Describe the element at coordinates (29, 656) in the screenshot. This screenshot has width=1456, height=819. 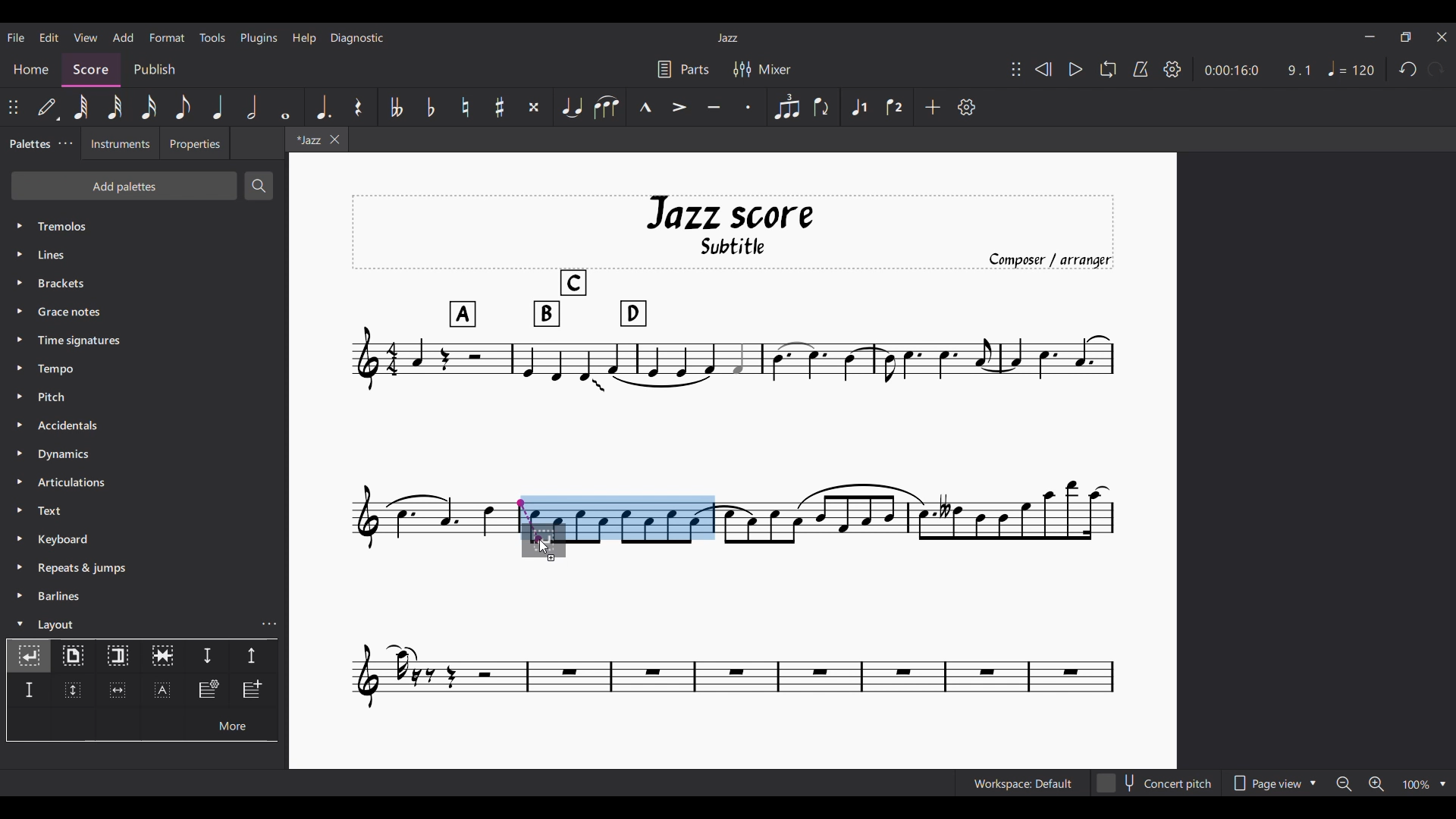
I see `System break, highlighted as current selection` at that location.